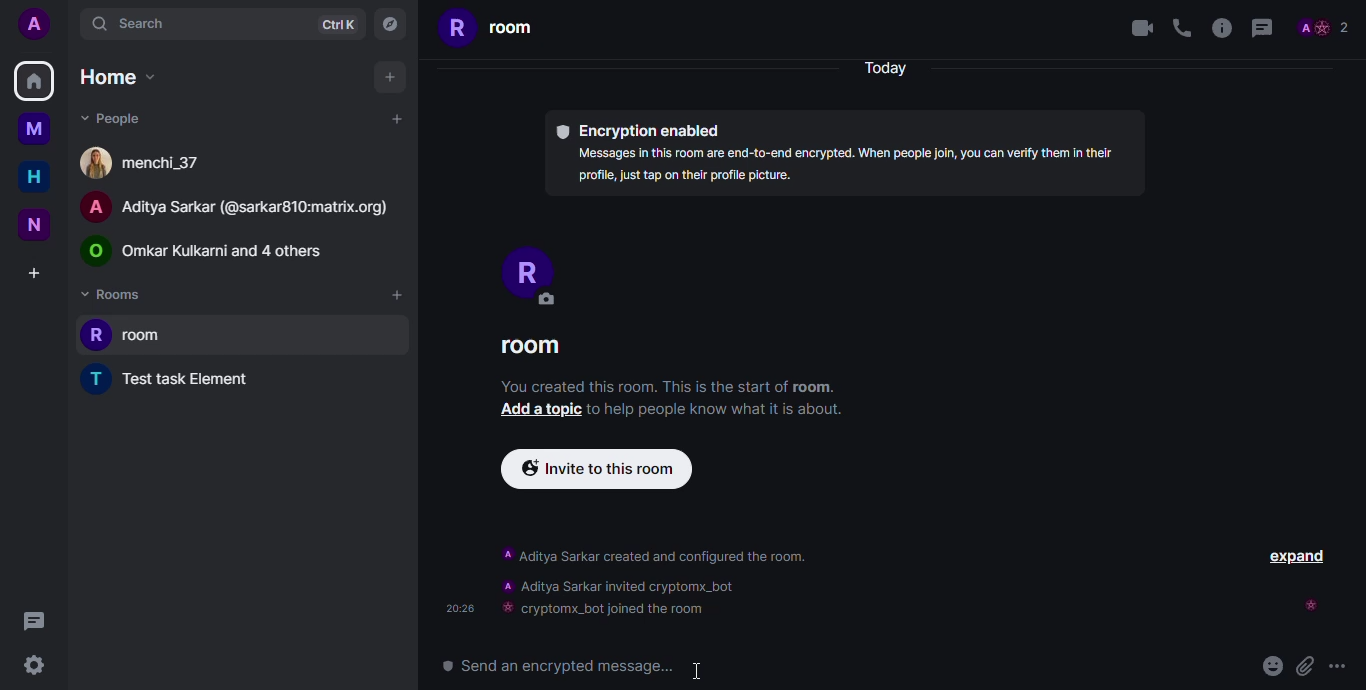 The height and width of the screenshot is (690, 1366). I want to click on add, so click(390, 78).